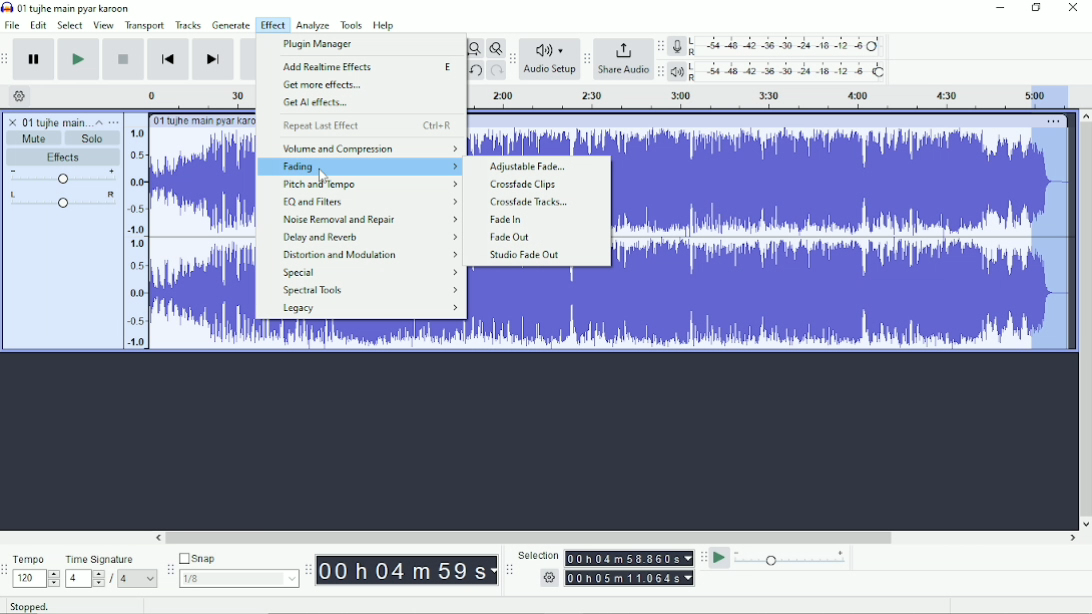 The width and height of the screenshot is (1092, 614). I want to click on 01 tujhe main pyar karoon, so click(203, 121).